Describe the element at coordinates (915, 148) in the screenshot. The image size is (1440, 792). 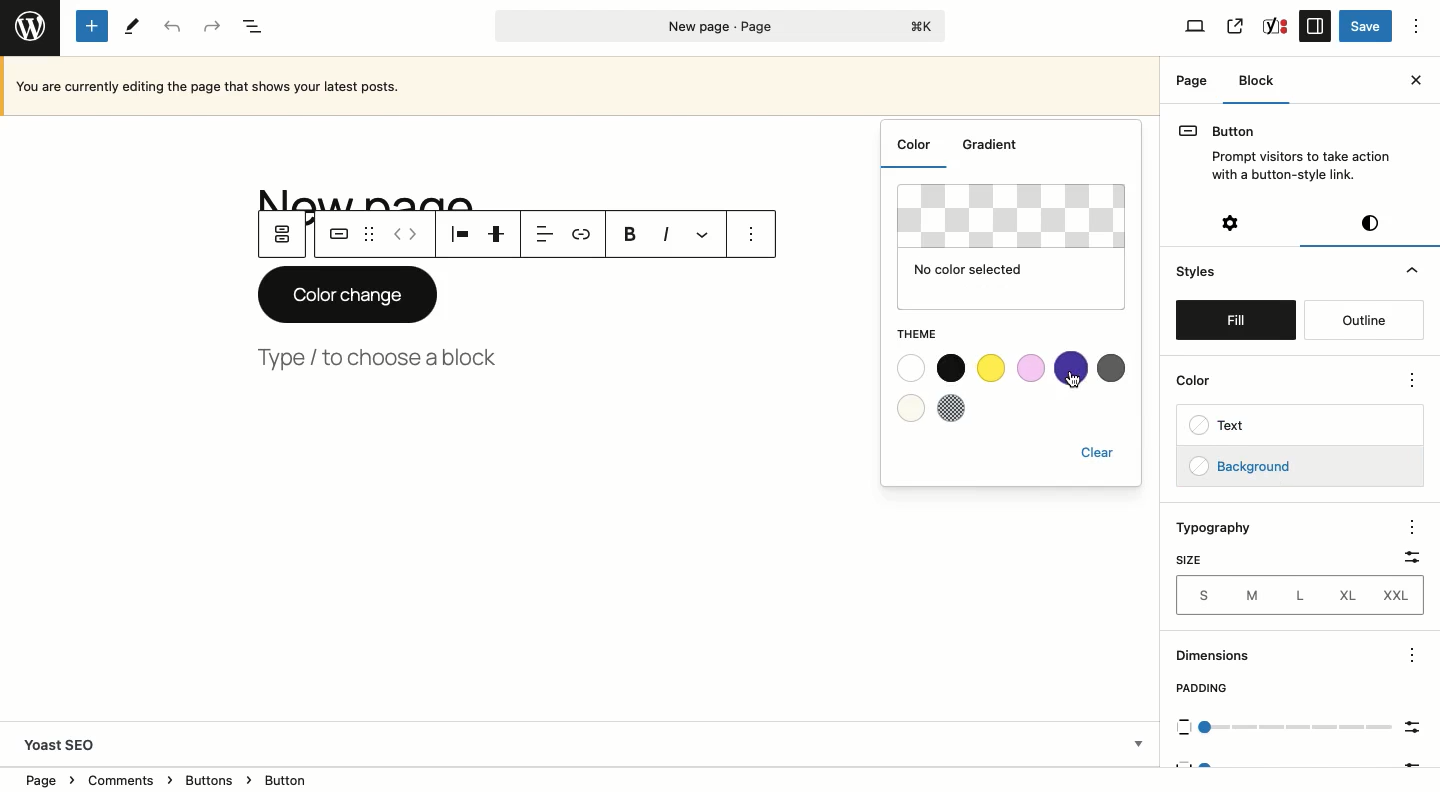
I see `Color` at that location.